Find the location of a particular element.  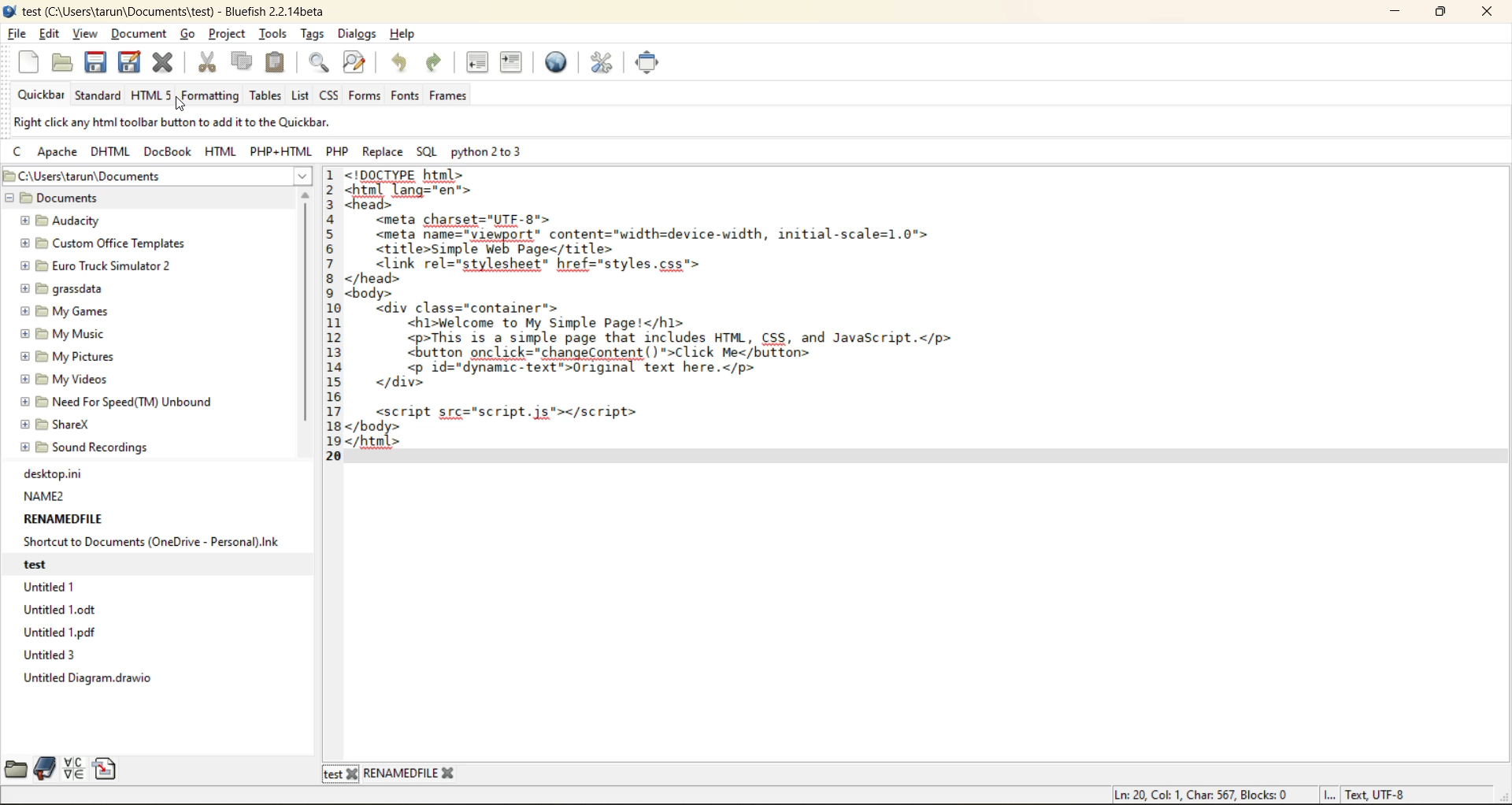

dhtml is located at coordinates (109, 149).